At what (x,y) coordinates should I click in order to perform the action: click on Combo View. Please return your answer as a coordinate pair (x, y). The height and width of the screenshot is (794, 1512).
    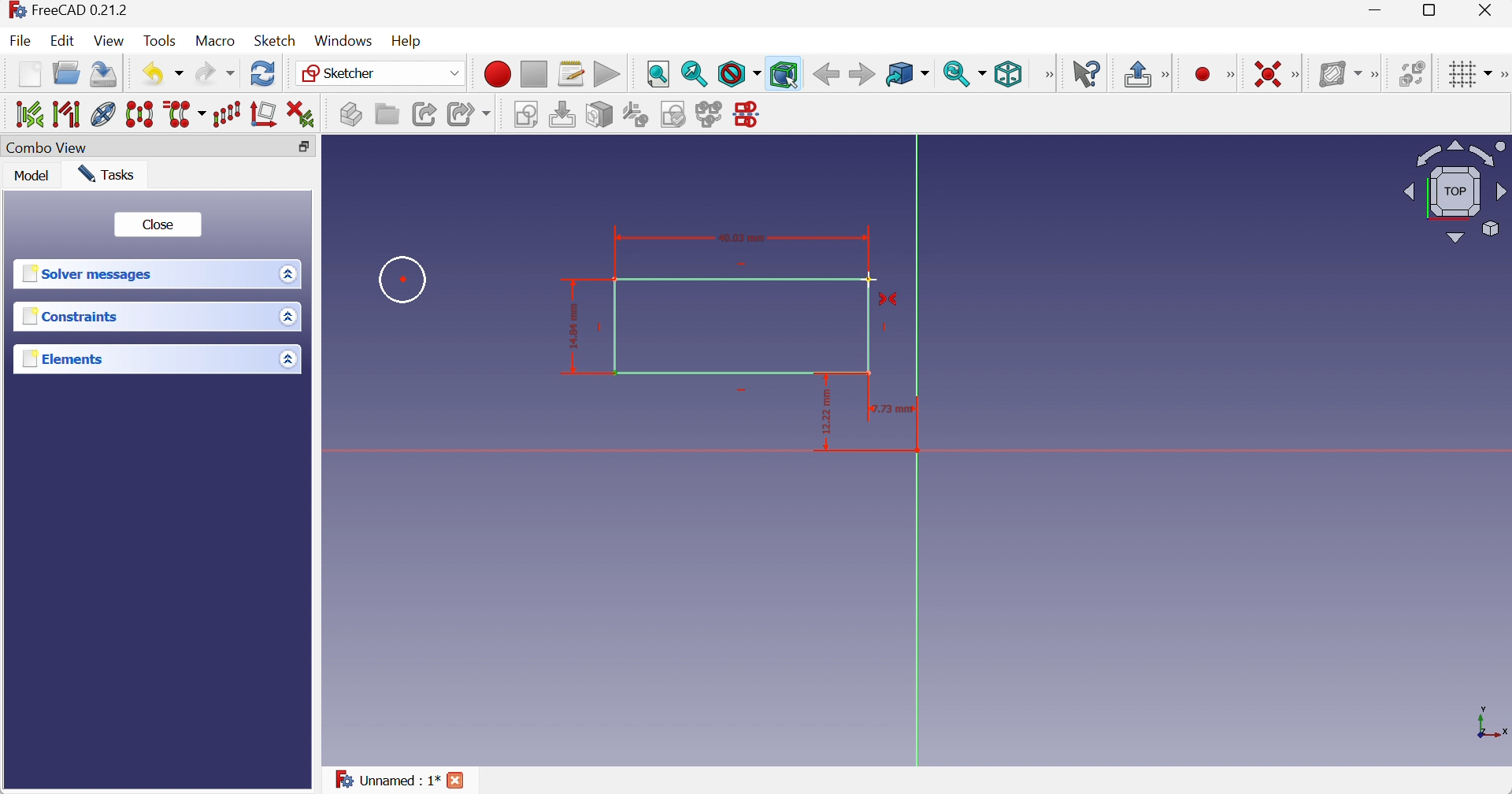
    Looking at the image, I should click on (46, 149).